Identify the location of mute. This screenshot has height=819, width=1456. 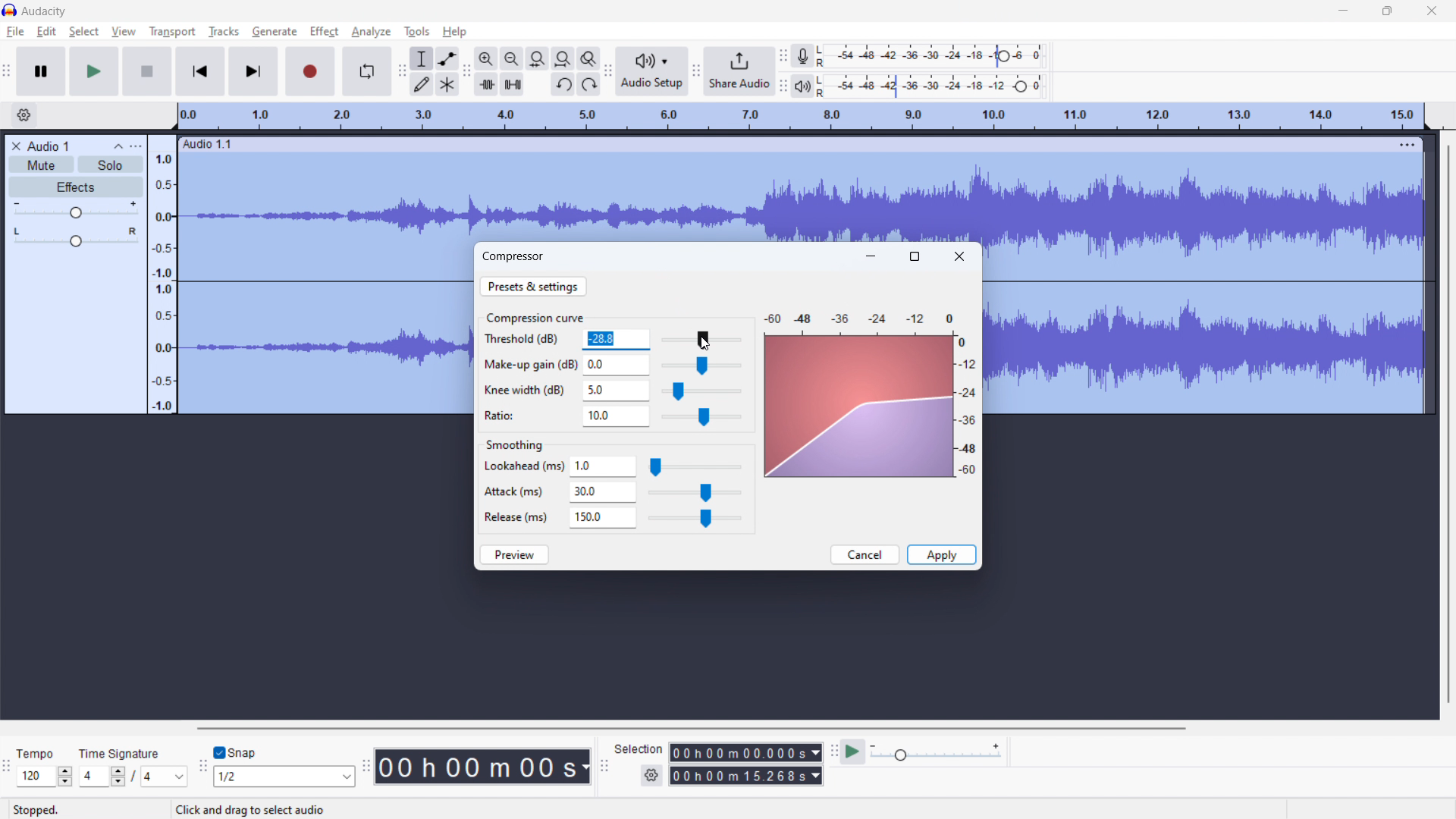
(42, 165).